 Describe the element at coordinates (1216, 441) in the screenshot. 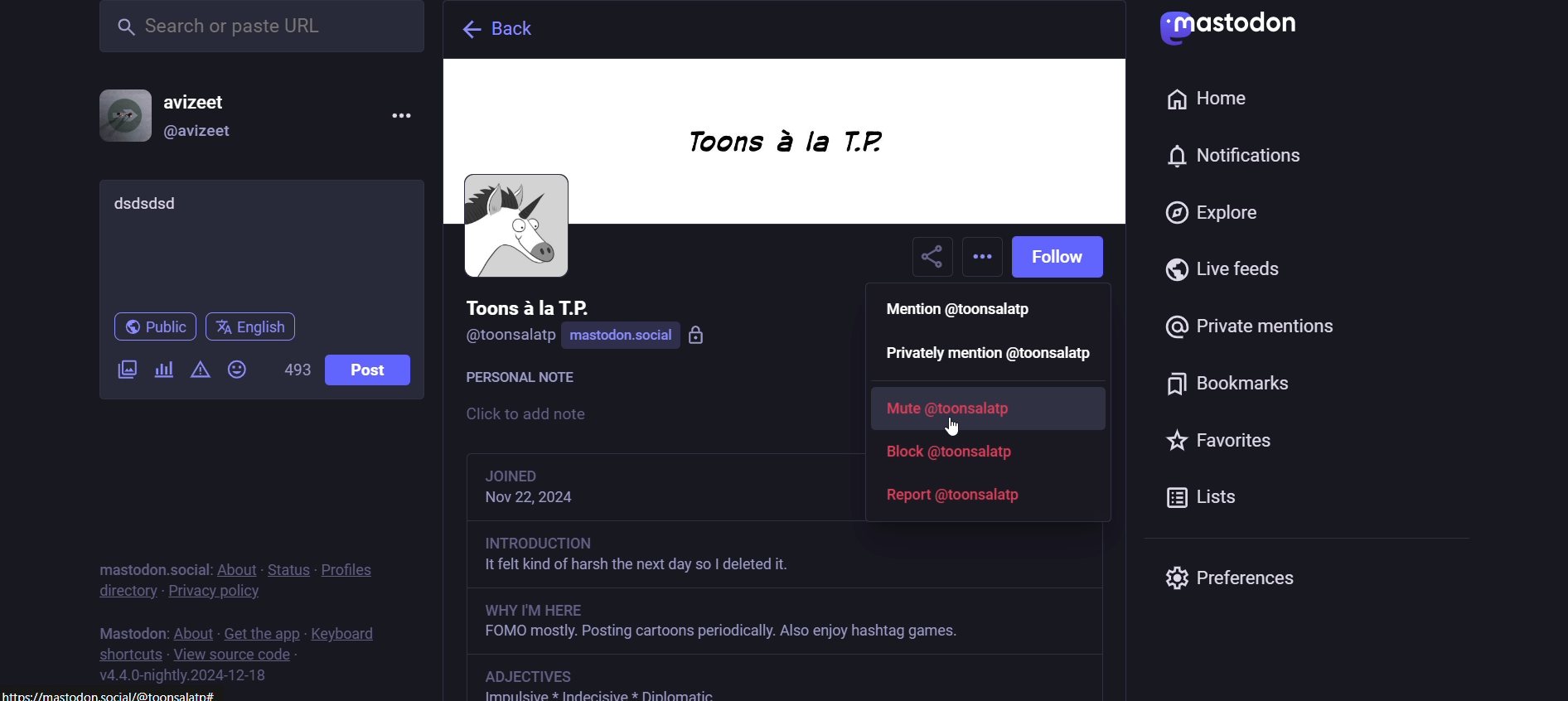

I see `favorites` at that location.